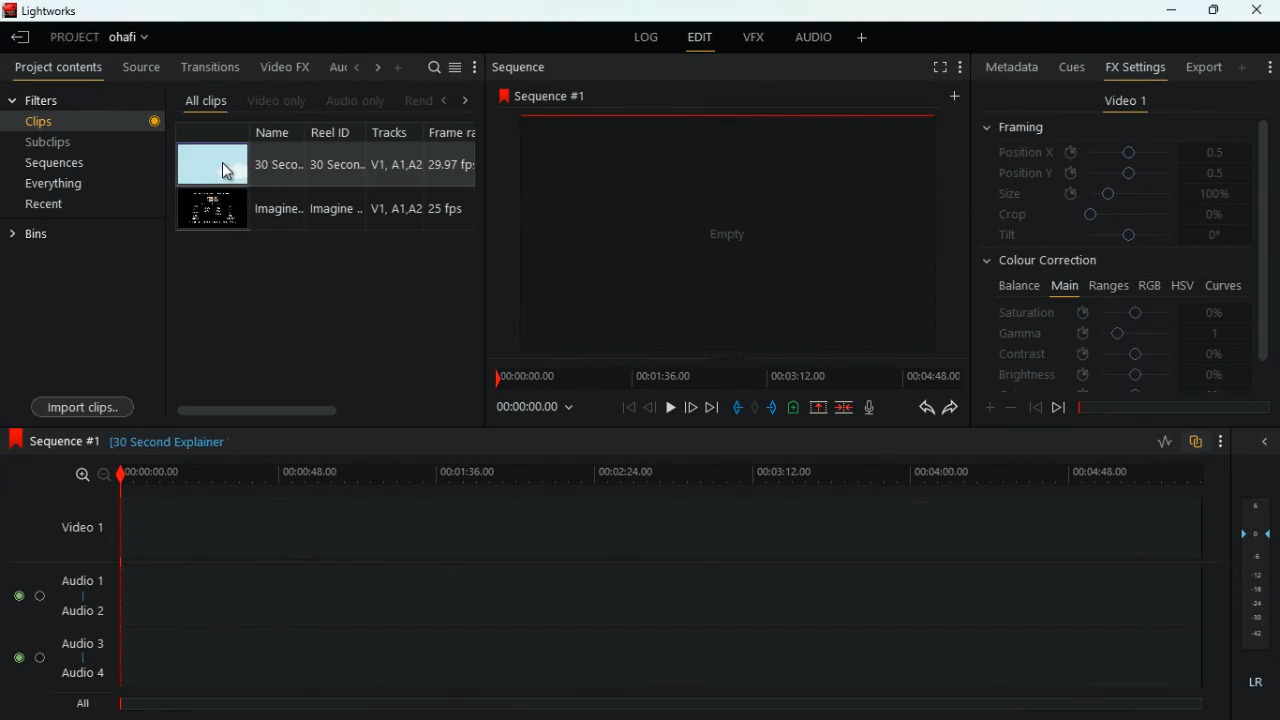  Describe the element at coordinates (1111, 194) in the screenshot. I see `size` at that location.